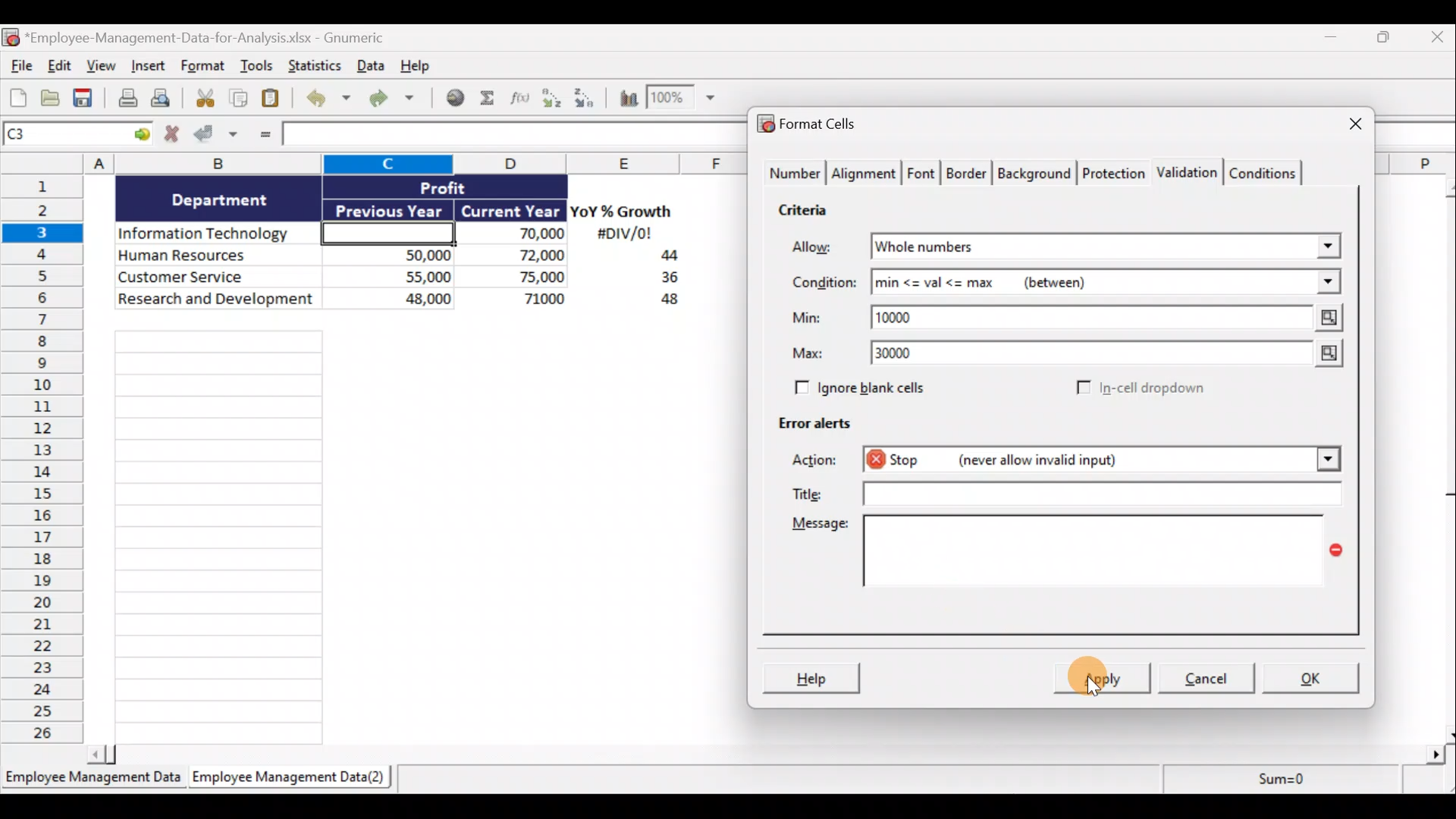 The height and width of the screenshot is (819, 1456). What do you see at coordinates (823, 248) in the screenshot?
I see `Allow` at bounding box center [823, 248].